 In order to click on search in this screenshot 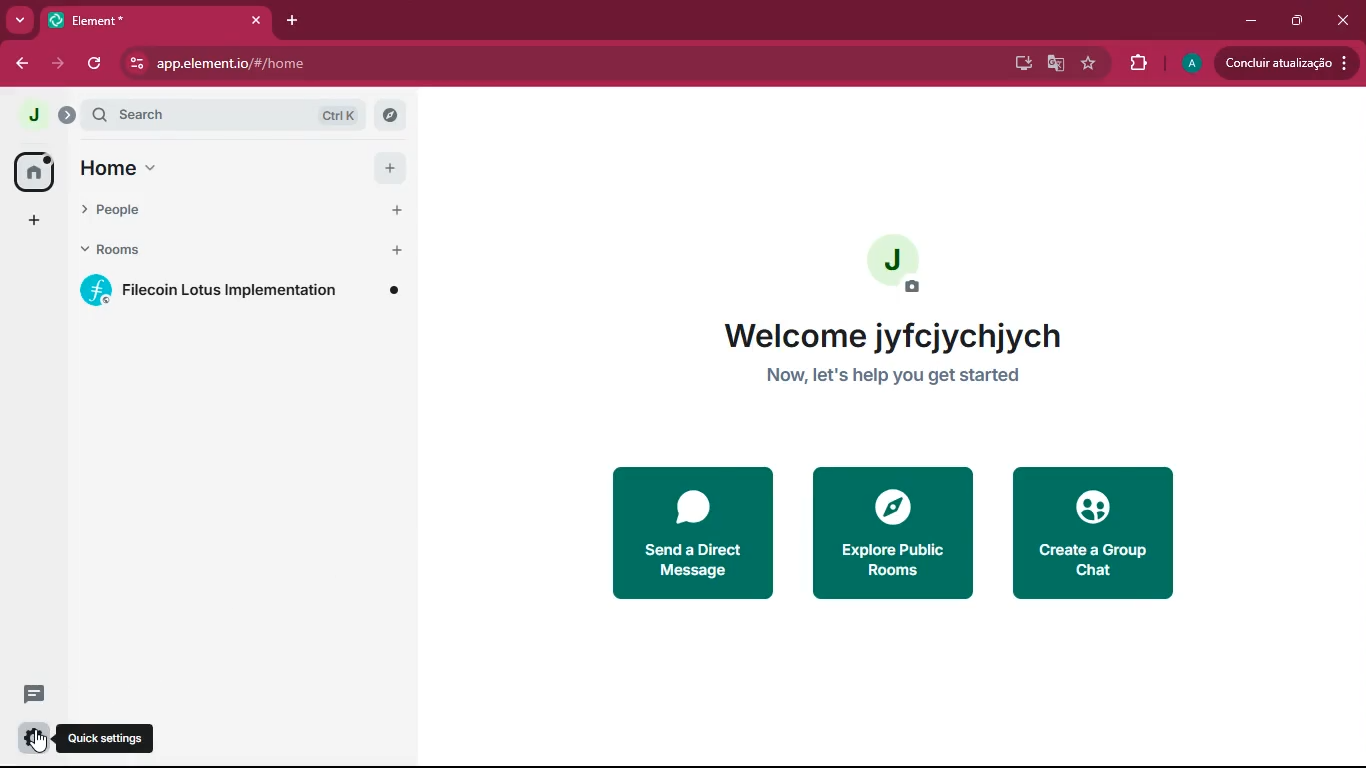, I will do `click(235, 114)`.